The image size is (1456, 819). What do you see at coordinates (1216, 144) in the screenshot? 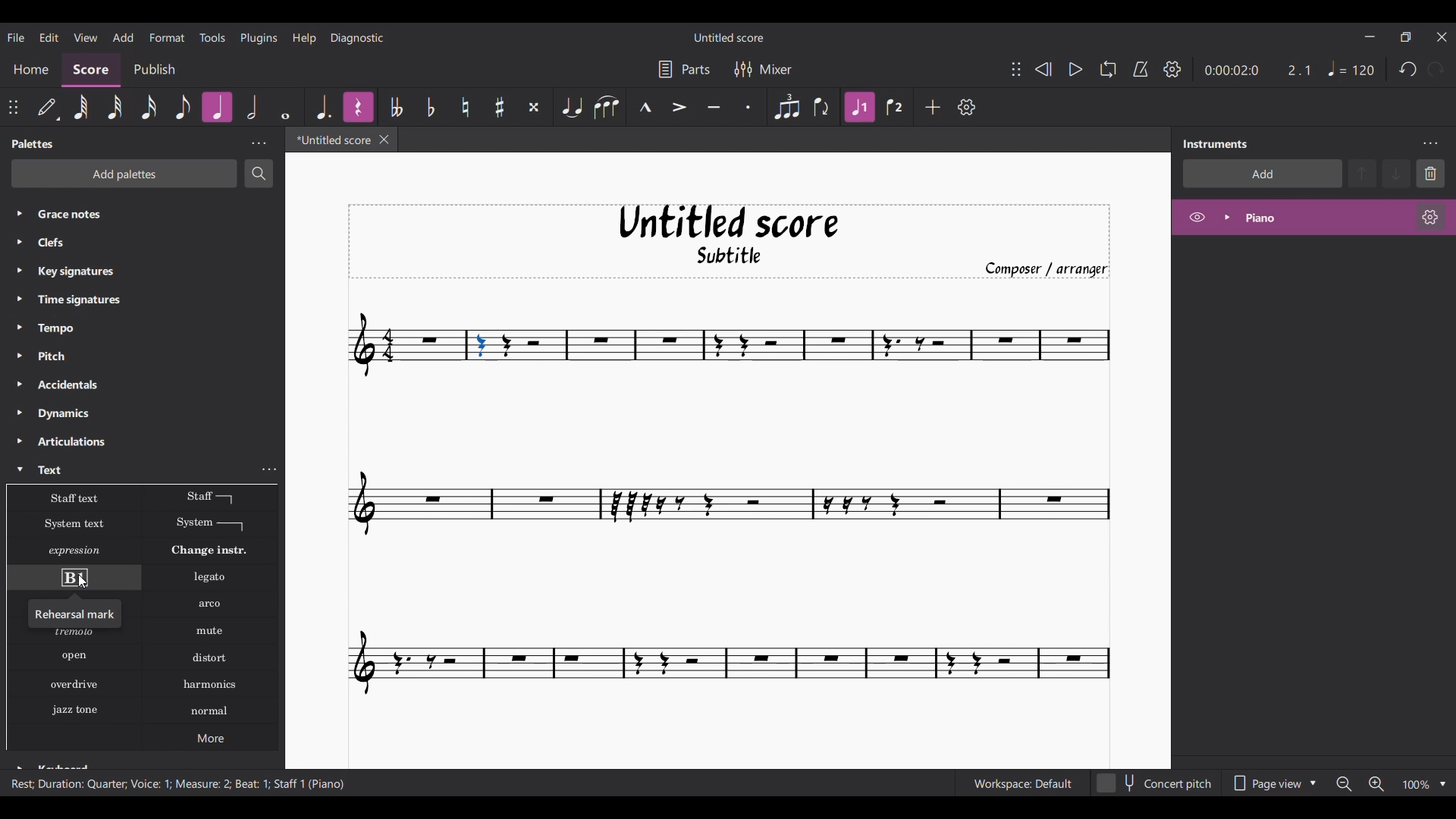
I see `Panel title` at bounding box center [1216, 144].